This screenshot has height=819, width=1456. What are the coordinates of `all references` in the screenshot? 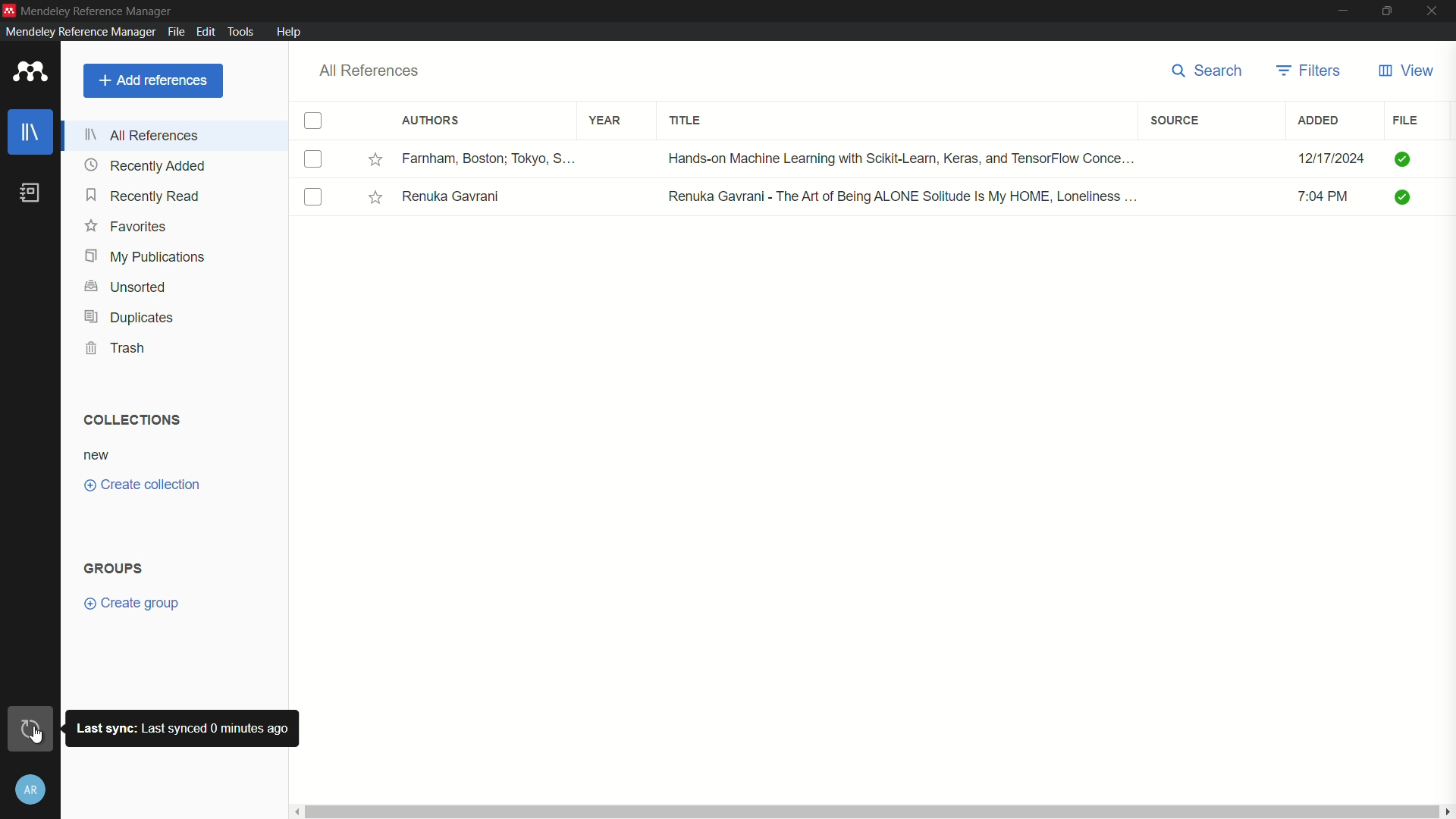 It's located at (140, 135).